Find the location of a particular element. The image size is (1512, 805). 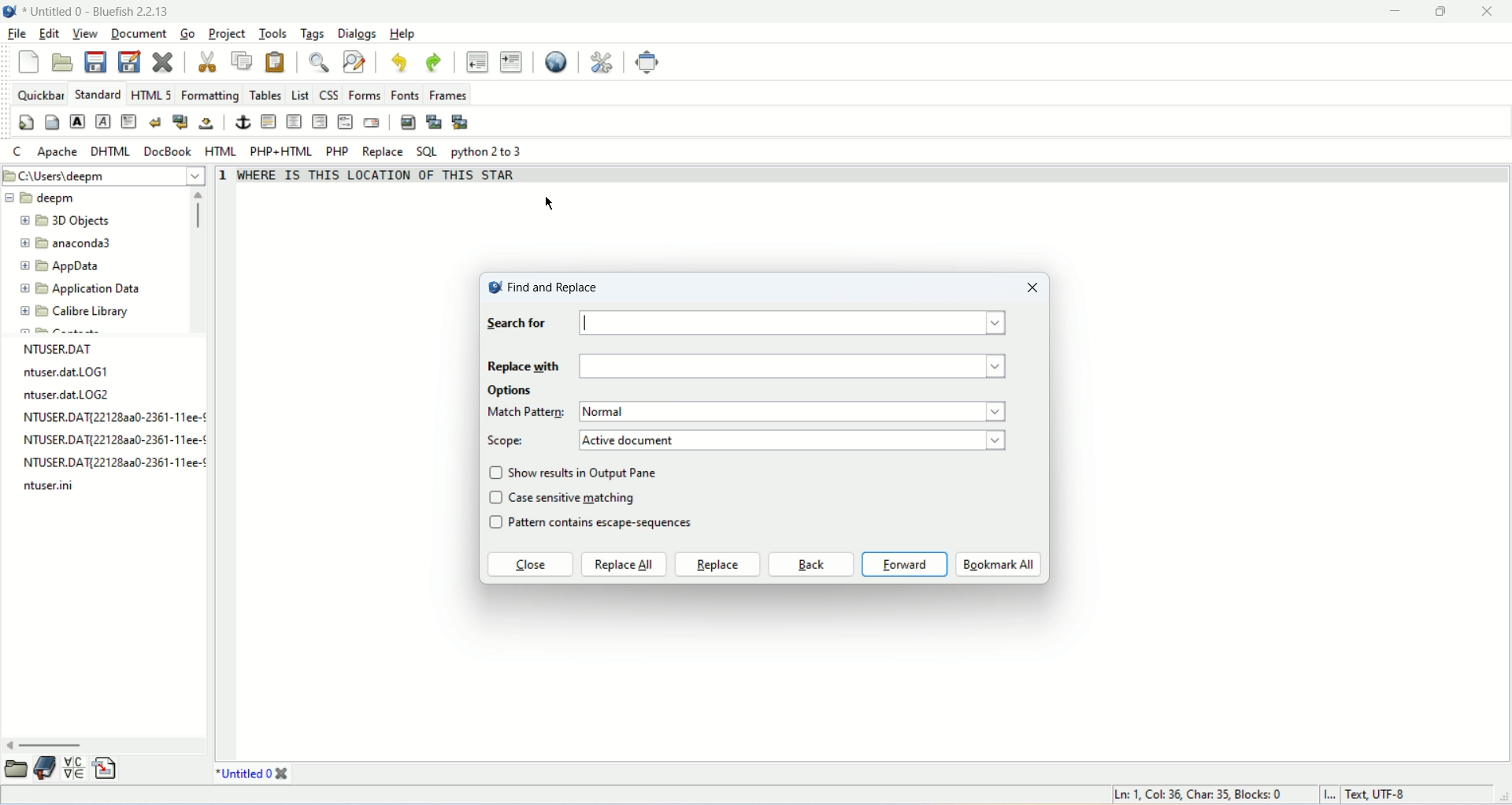

file name is located at coordinates (50, 484).